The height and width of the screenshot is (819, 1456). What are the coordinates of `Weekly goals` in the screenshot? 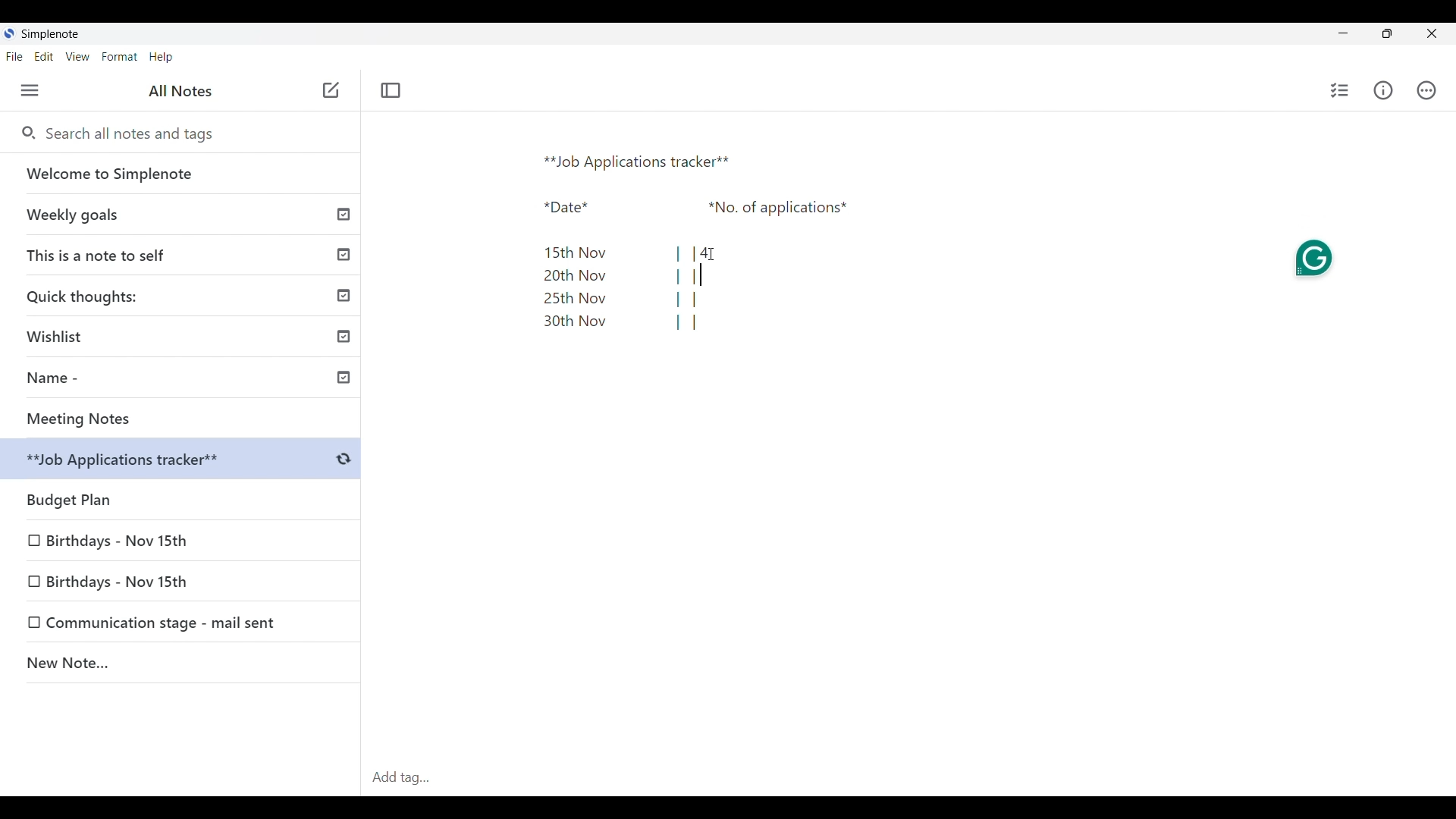 It's located at (180, 214).